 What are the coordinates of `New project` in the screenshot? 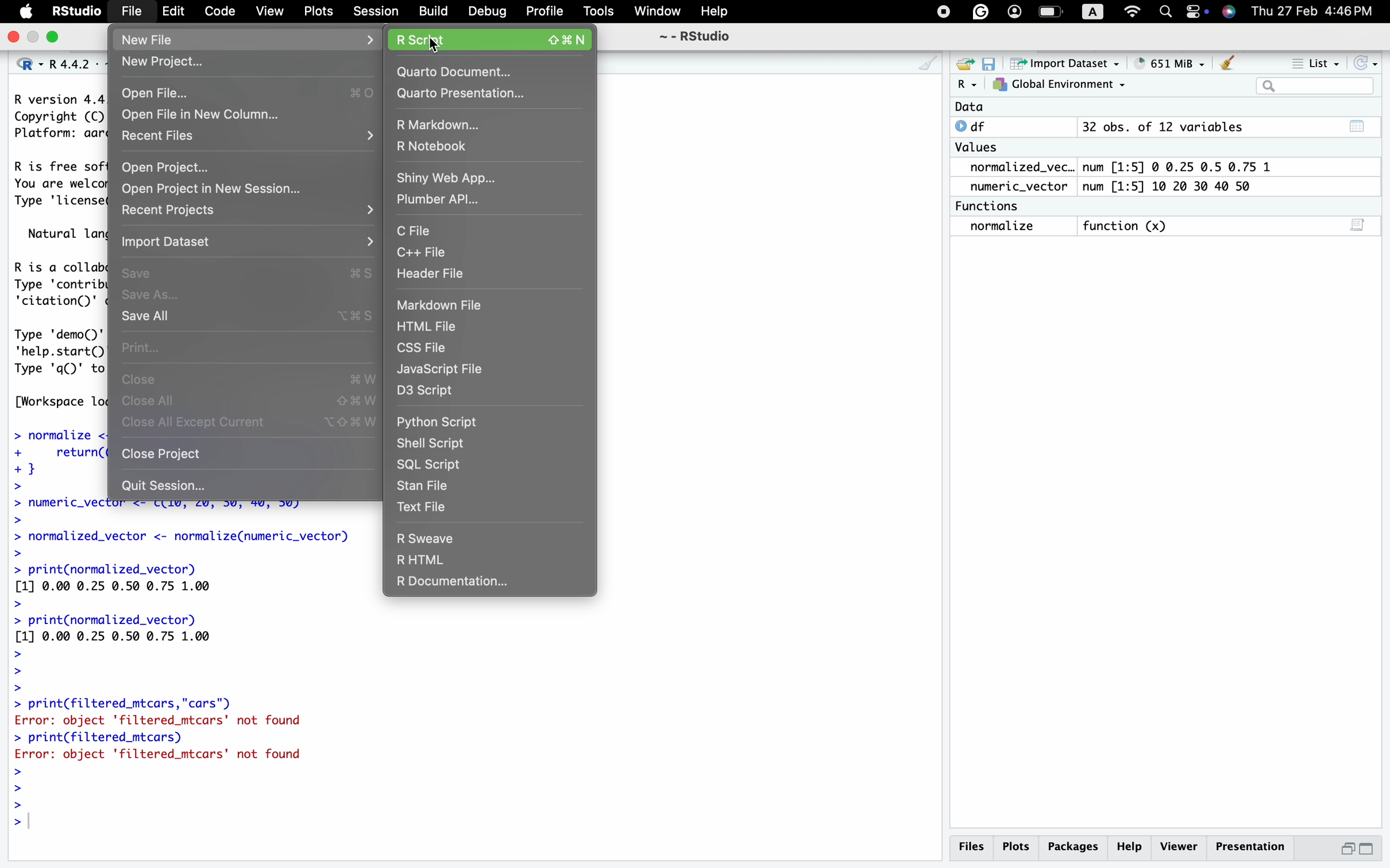 It's located at (221, 63).